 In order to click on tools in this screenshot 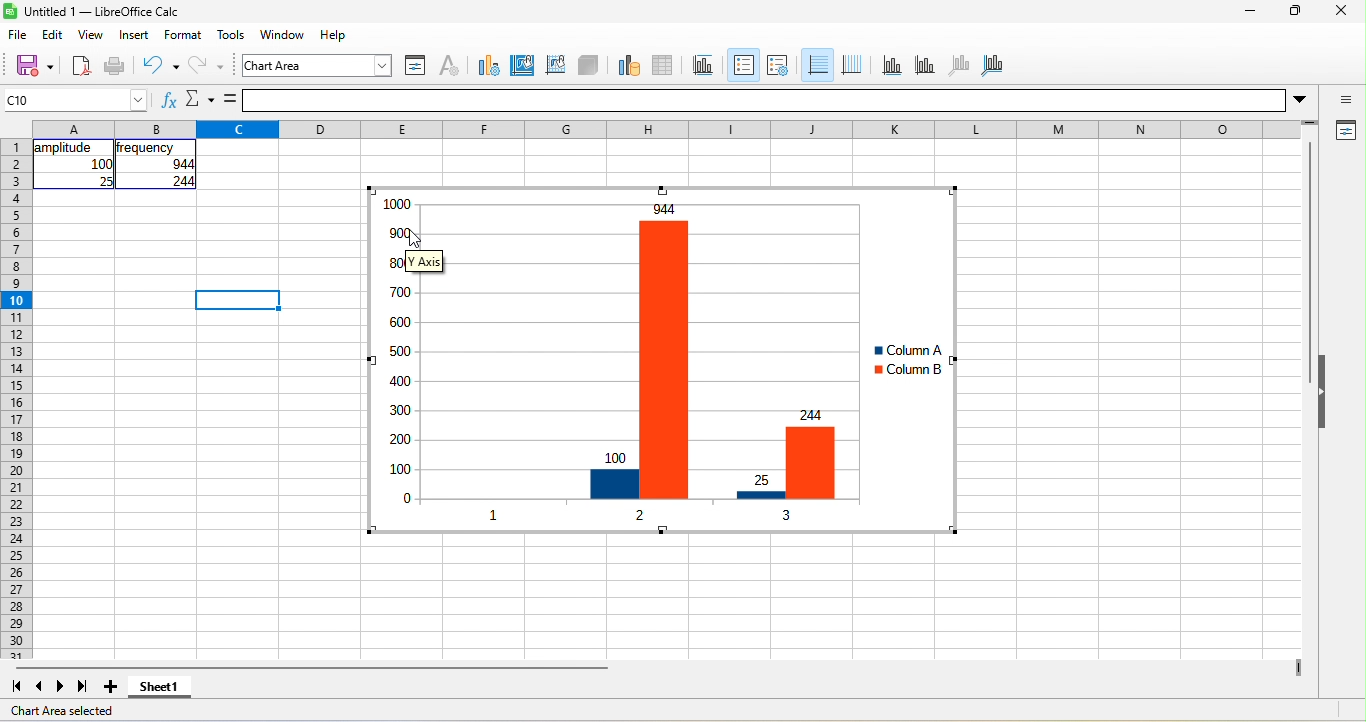, I will do `click(231, 35)`.